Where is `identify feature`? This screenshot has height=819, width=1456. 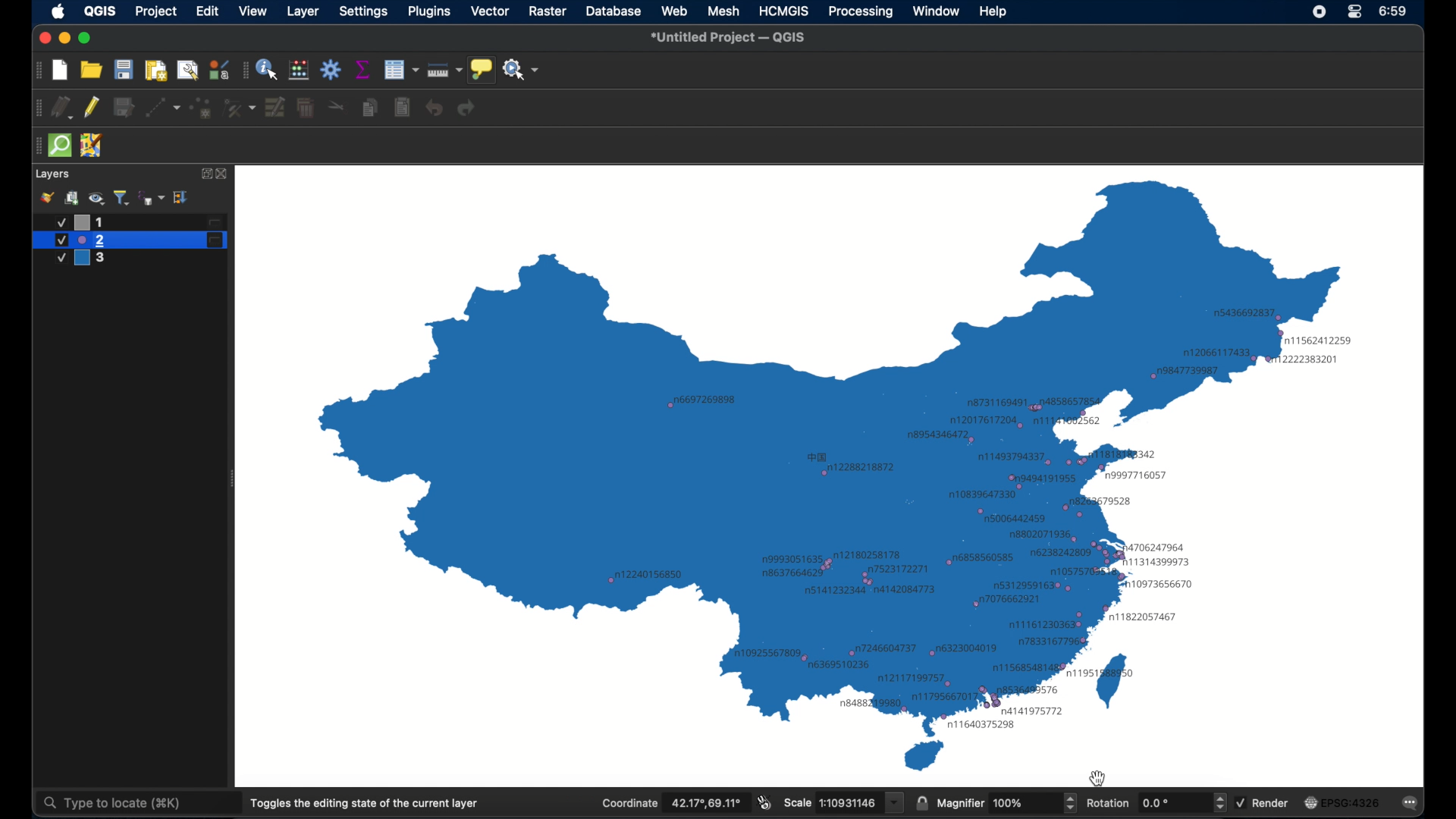
identify feature is located at coordinates (268, 68).